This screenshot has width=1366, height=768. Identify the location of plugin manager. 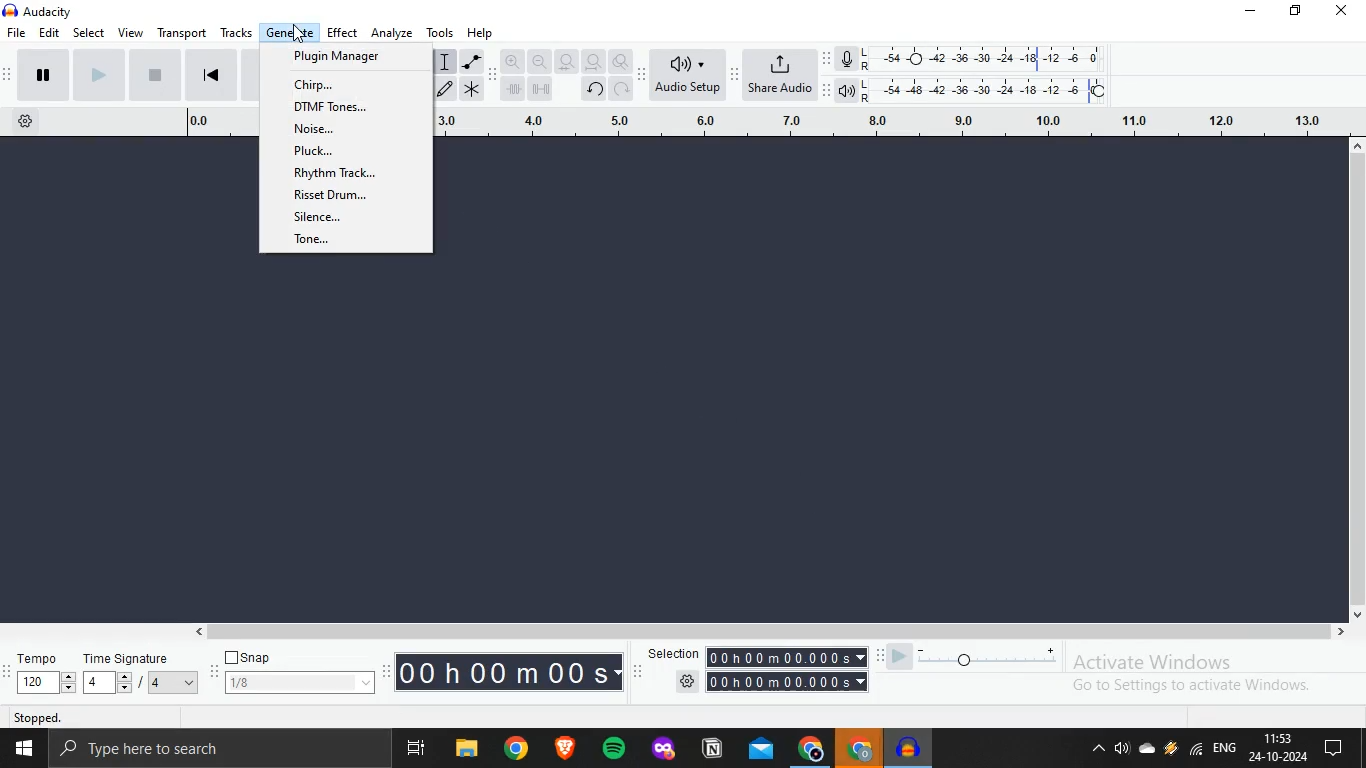
(346, 58).